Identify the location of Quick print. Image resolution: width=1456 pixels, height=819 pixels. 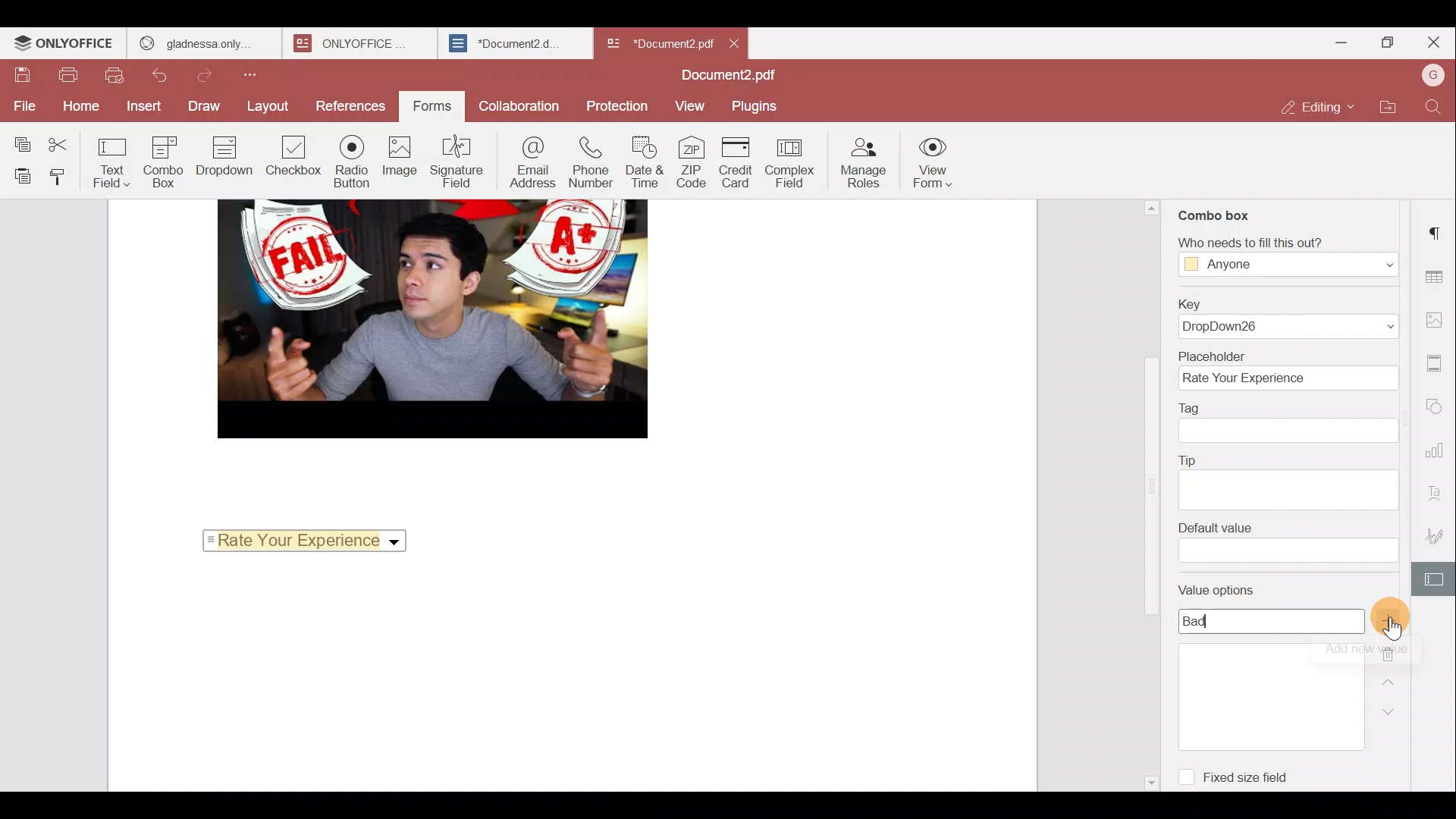
(114, 76).